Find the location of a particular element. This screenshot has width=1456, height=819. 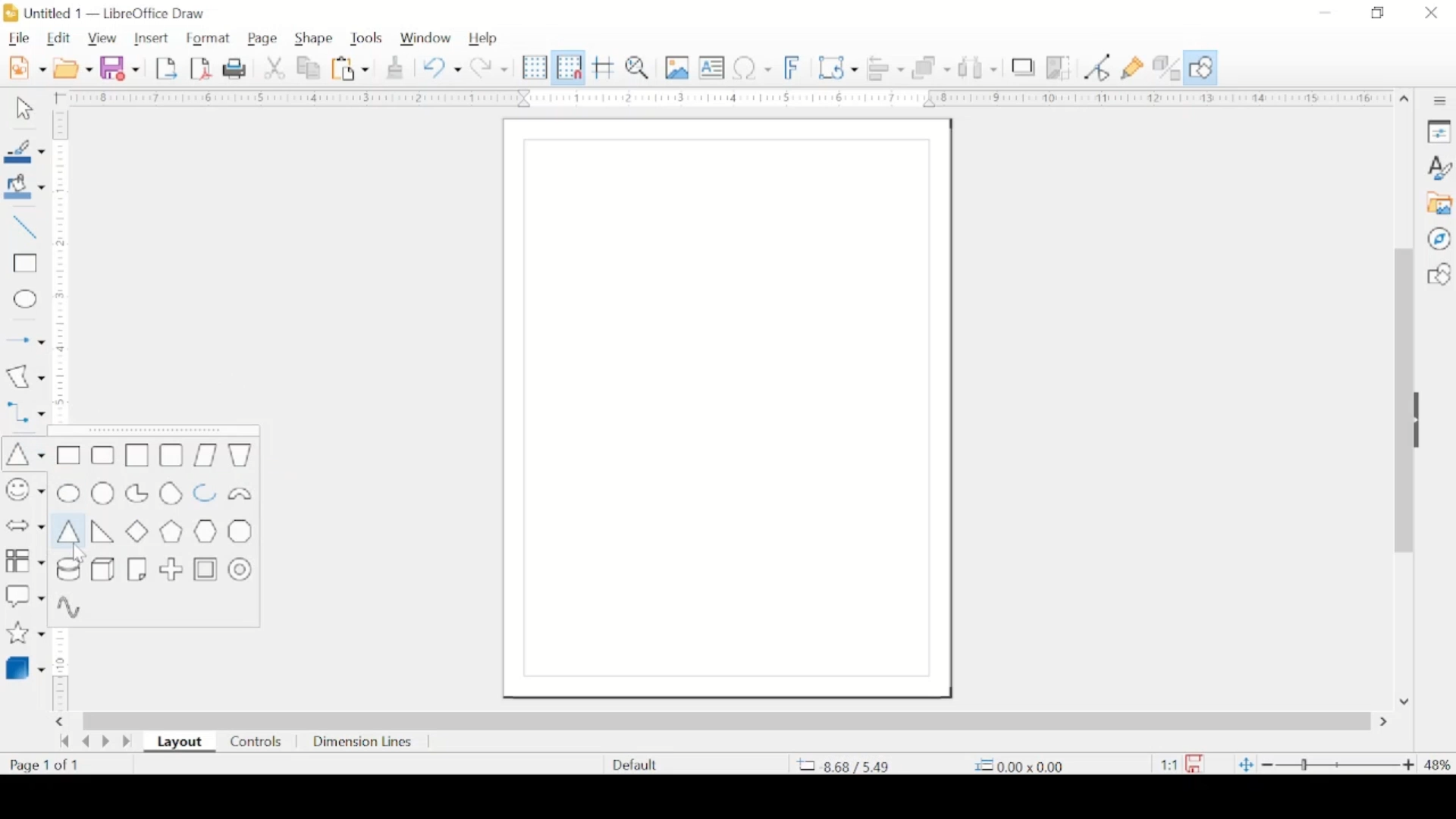

page is located at coordinates (265, 37).